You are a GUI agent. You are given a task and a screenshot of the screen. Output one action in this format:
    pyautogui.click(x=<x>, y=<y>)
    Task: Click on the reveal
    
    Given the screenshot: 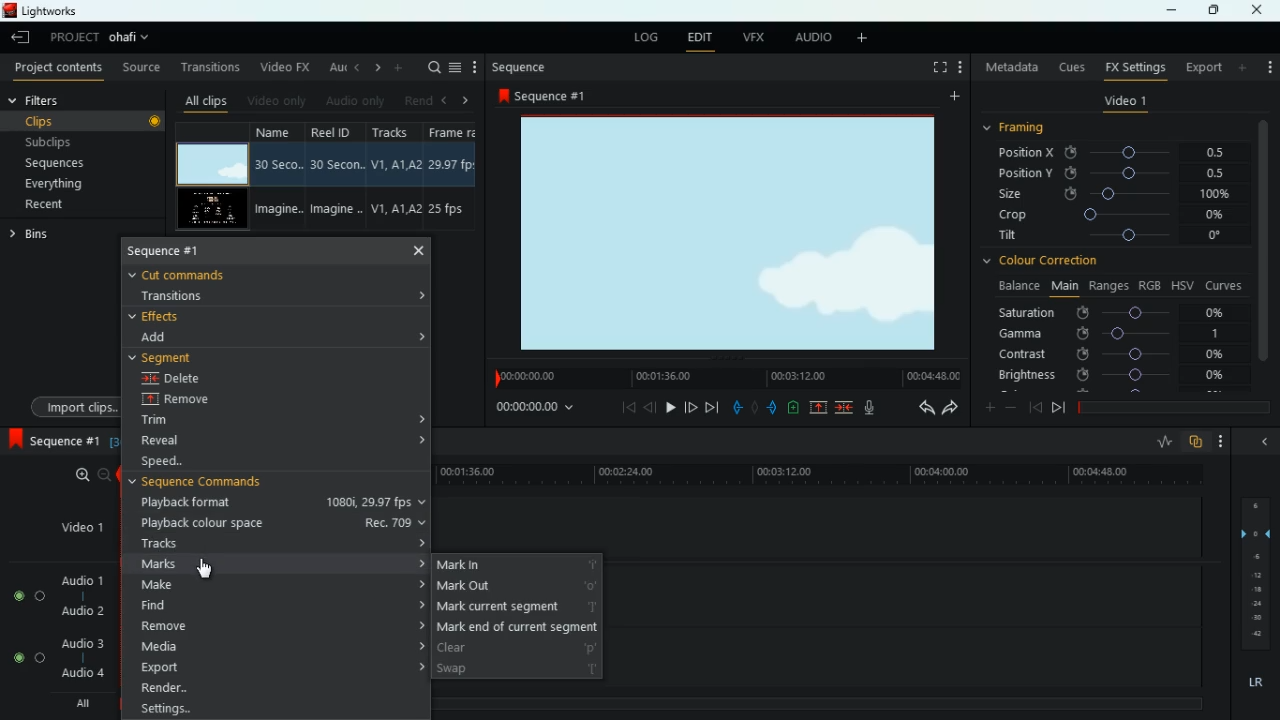 What is the action you would take?
    pyautogui.click(x=177, y=442)
    